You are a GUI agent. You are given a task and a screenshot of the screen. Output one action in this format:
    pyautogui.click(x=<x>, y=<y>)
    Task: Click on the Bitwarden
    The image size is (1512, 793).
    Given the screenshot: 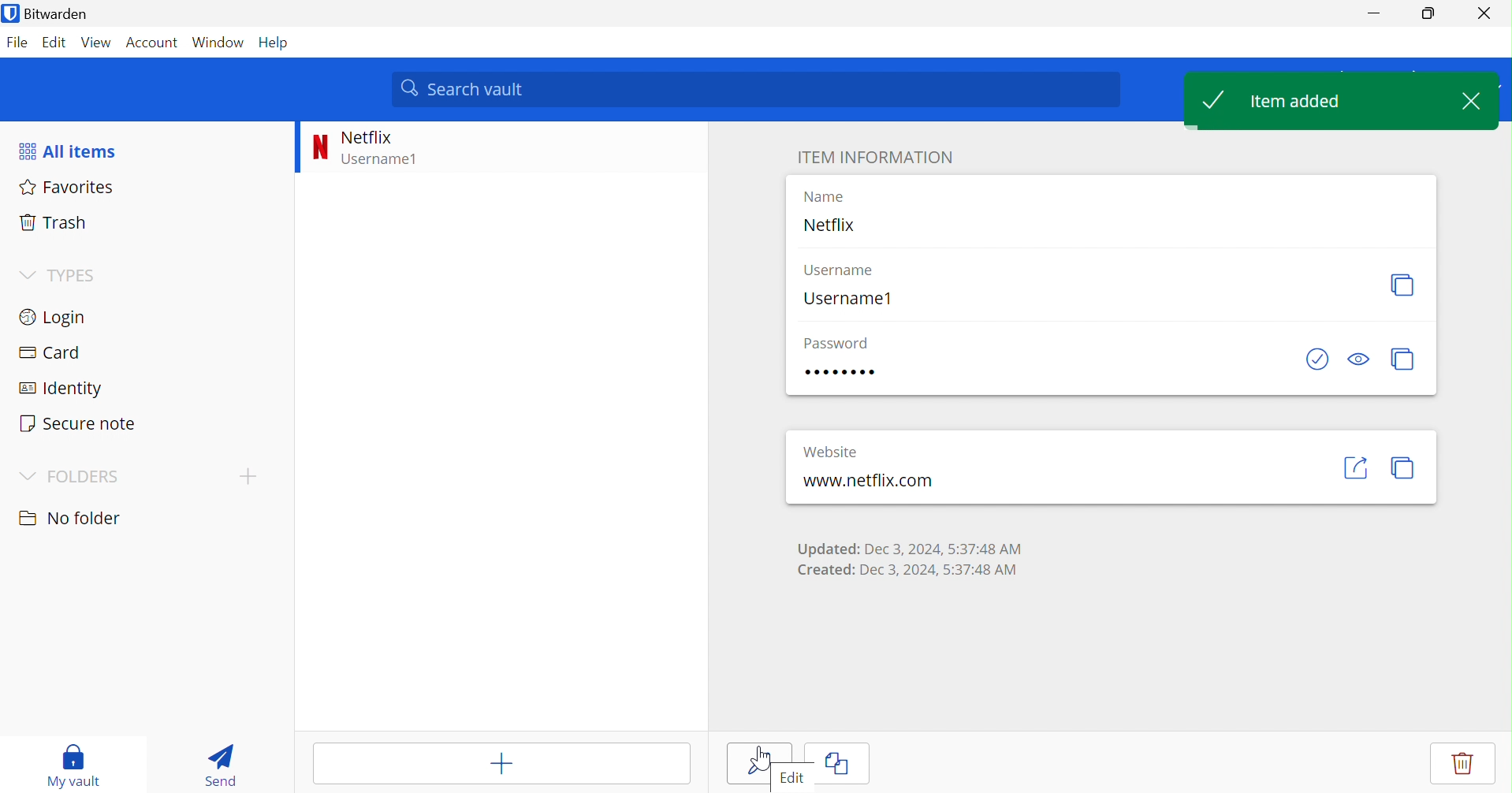 What is the action you would take?
    pyautogui.click(x=46, y=13)
    